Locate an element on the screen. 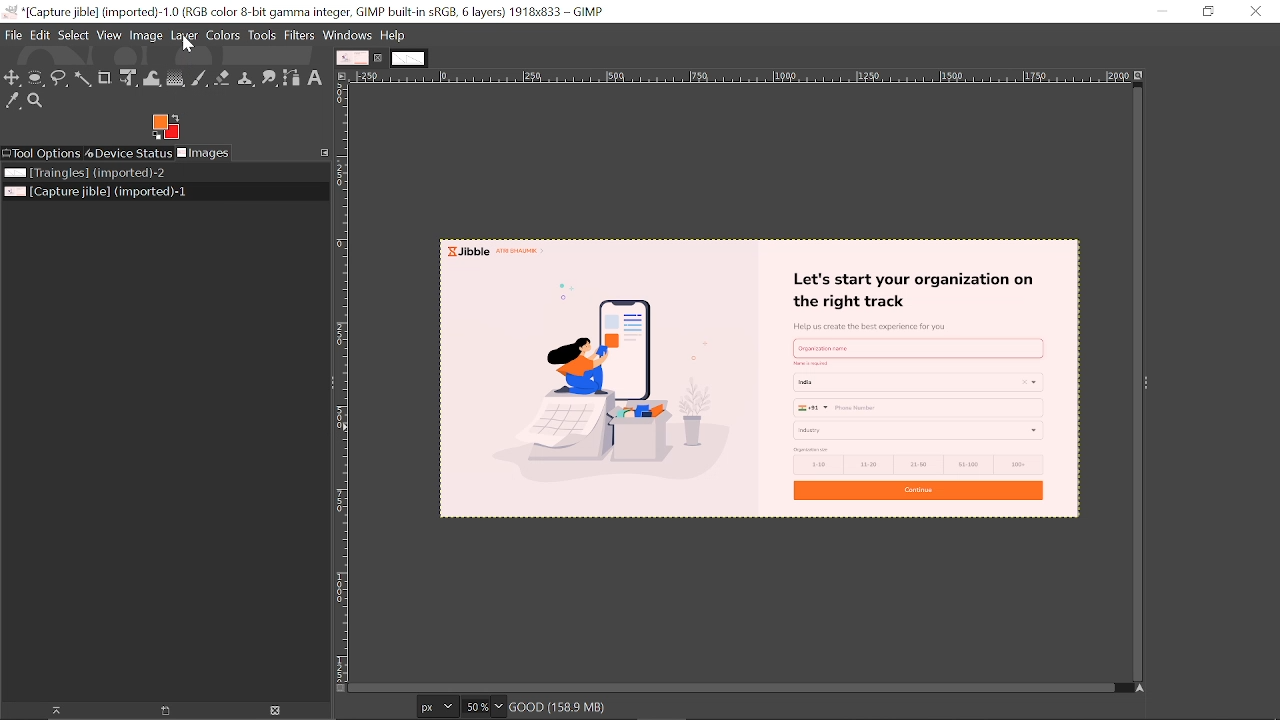 The image size is (1280, 720). Filters is located at coordinates (300, 35).